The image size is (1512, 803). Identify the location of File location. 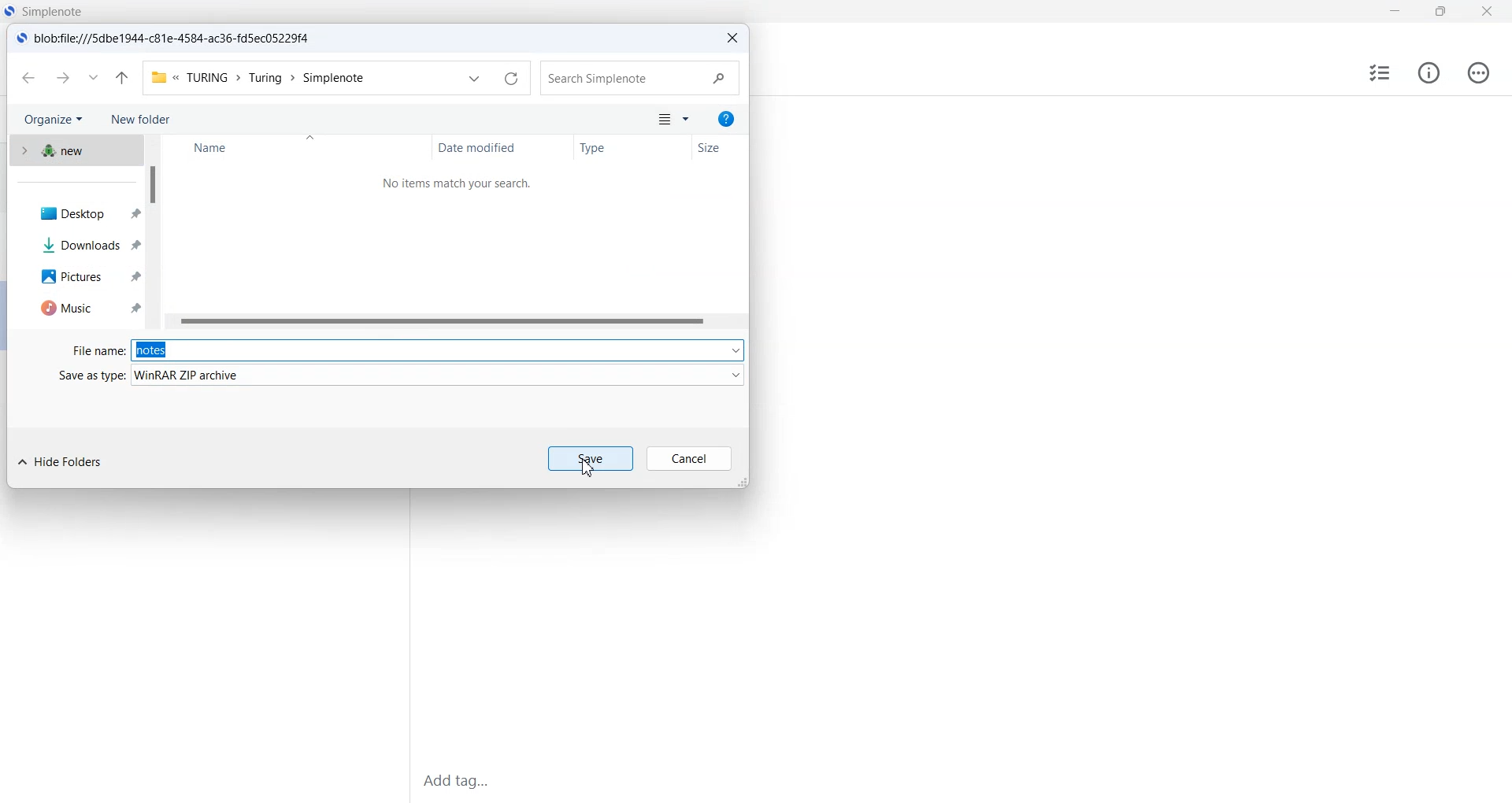
(169, 38).